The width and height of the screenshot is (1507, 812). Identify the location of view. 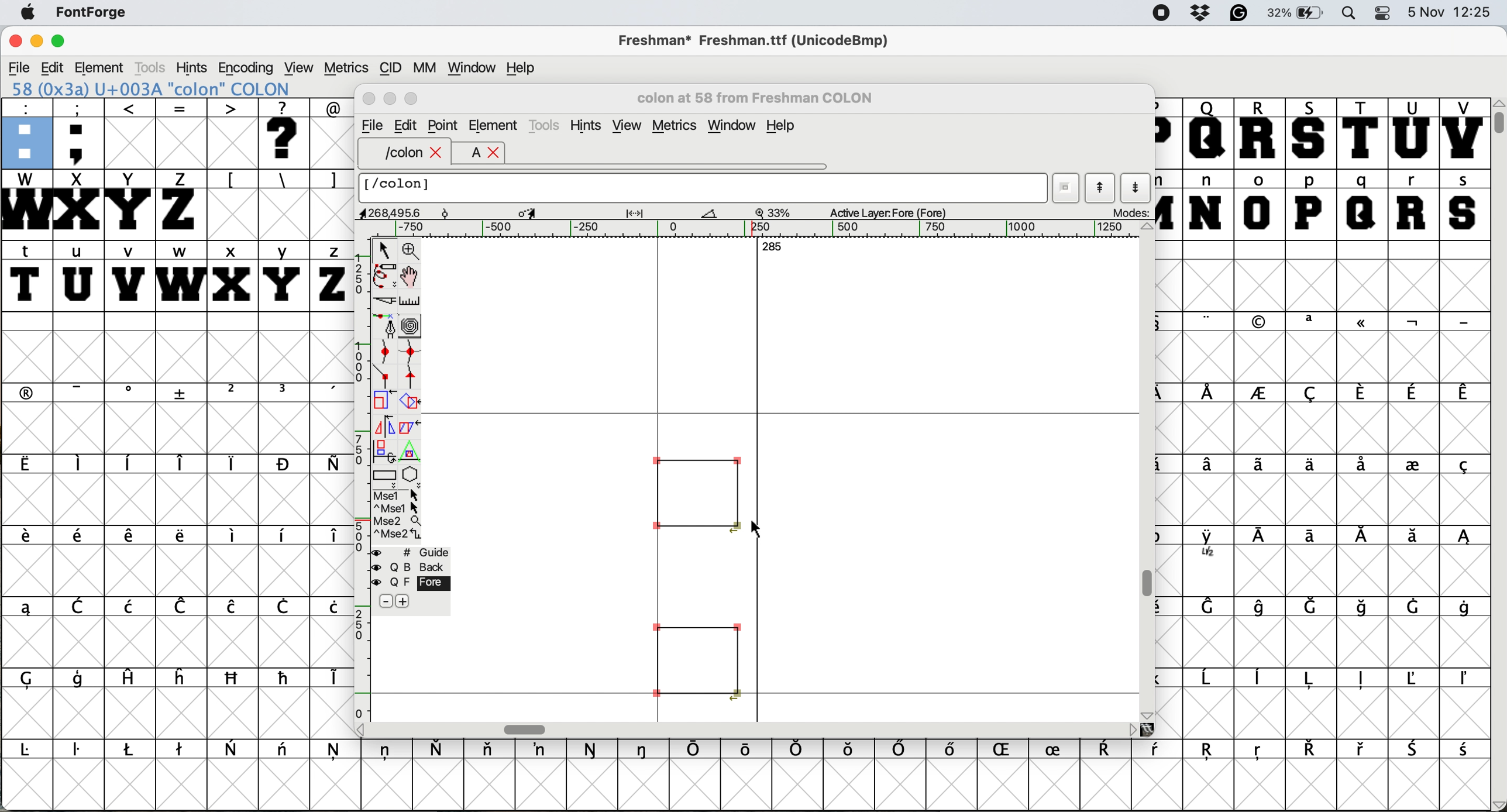
(301, 67).